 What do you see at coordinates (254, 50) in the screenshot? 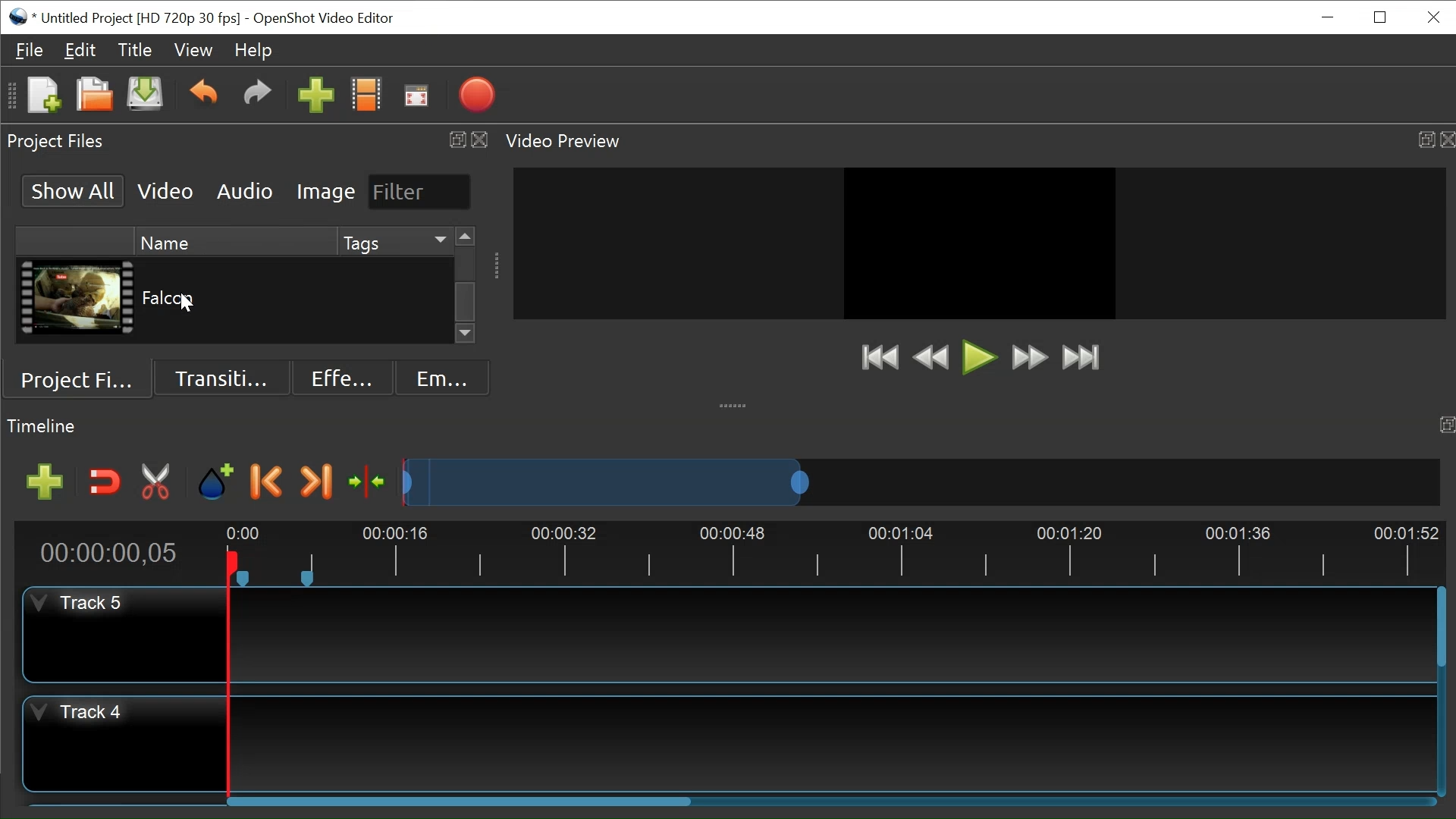
I see `Help` at bounding box center [254, 50].